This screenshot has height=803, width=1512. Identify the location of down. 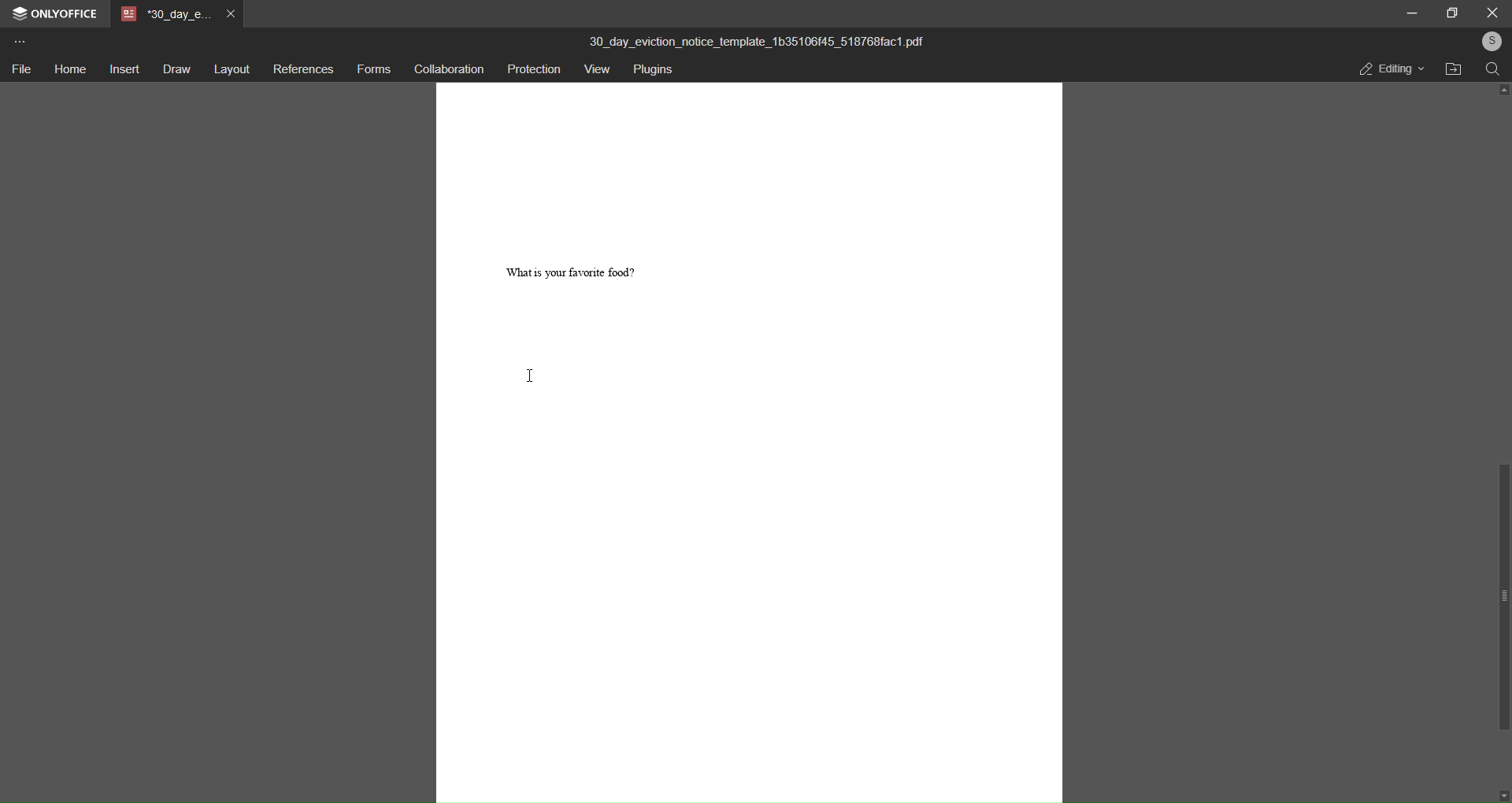
(1503, 794).